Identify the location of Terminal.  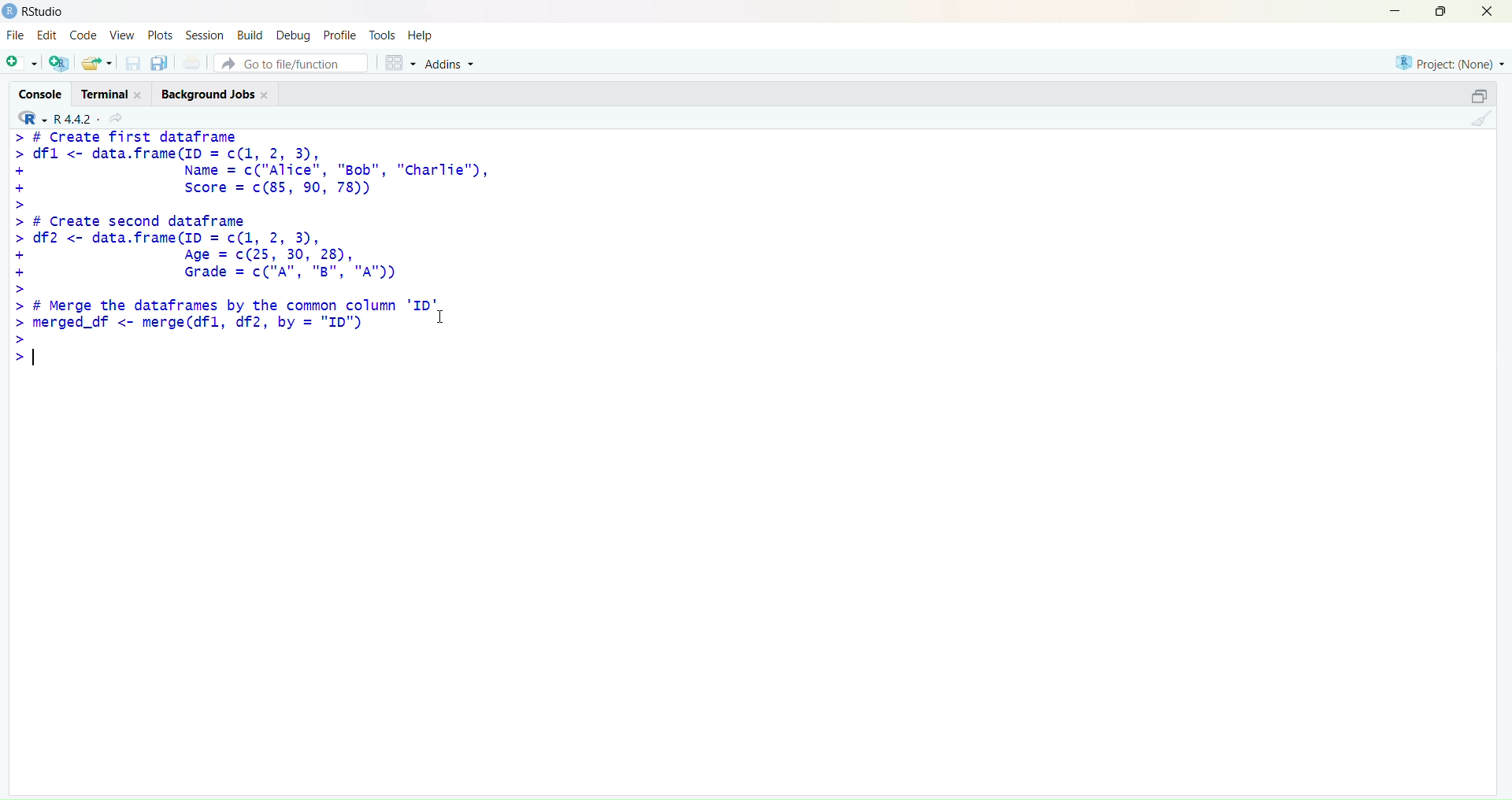
(115, 92).